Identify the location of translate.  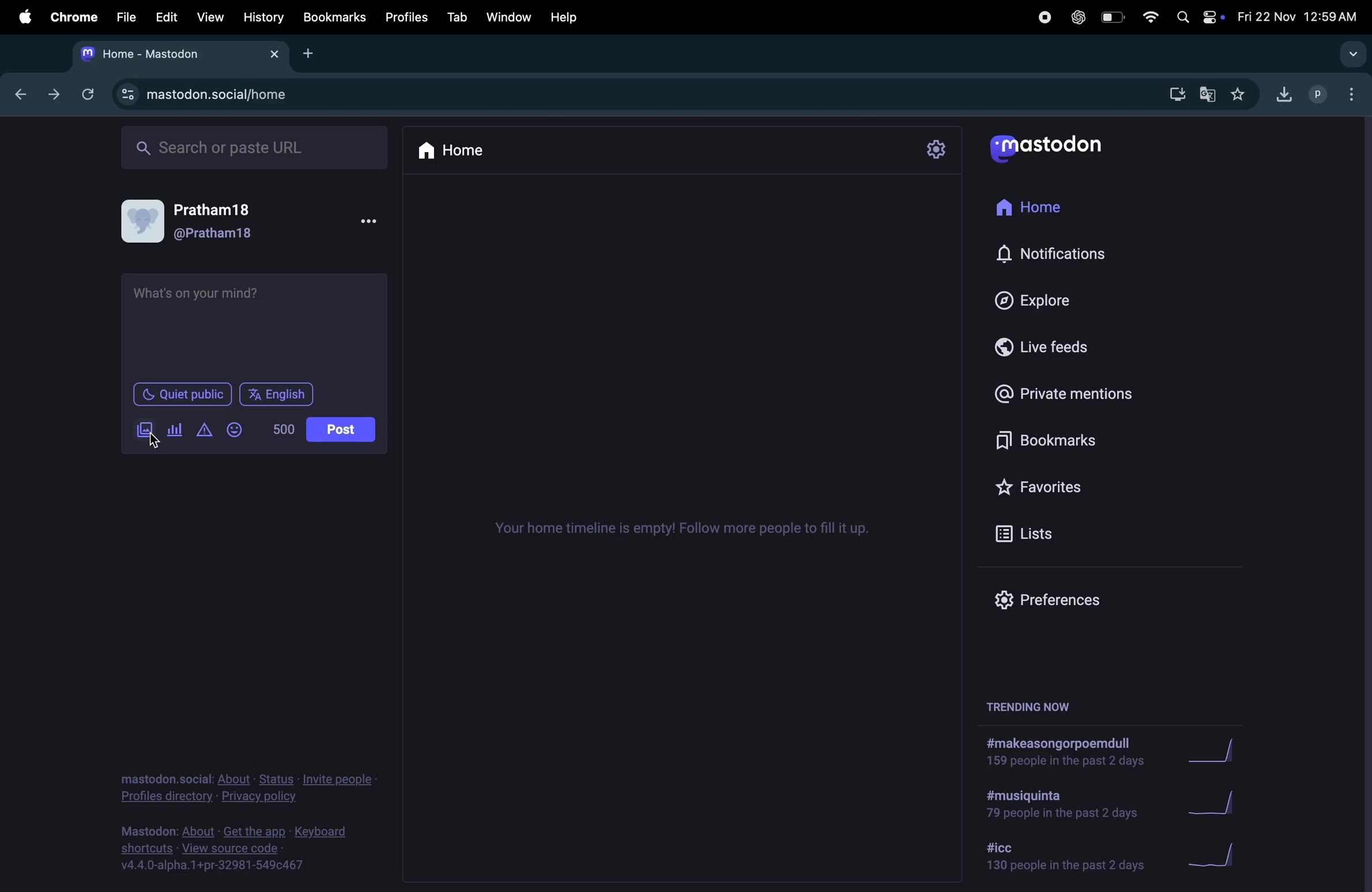
(1208, 93).